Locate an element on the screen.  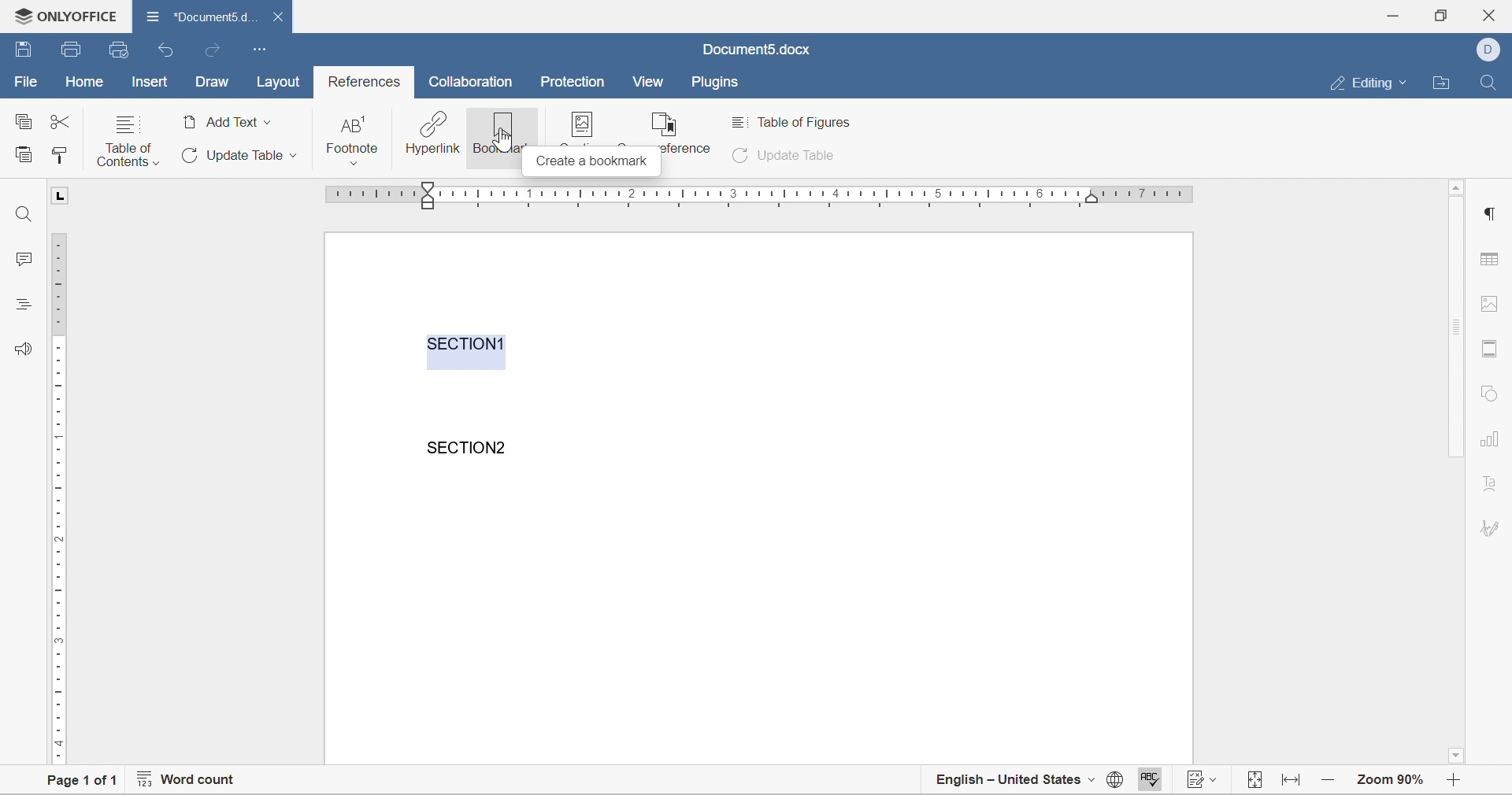
insert is located at coordinates (148, 81).